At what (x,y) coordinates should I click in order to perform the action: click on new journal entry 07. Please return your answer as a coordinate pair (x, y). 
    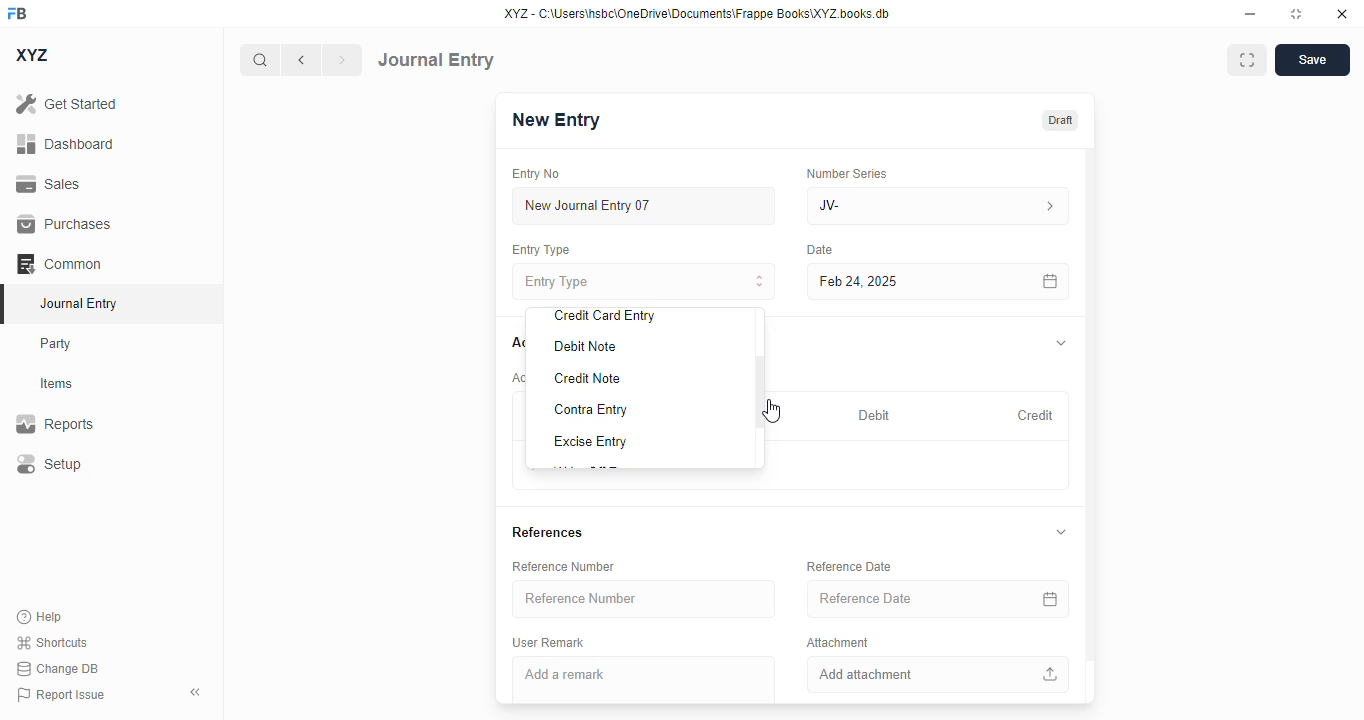
    Looking at the image, I should click on (645, 205).